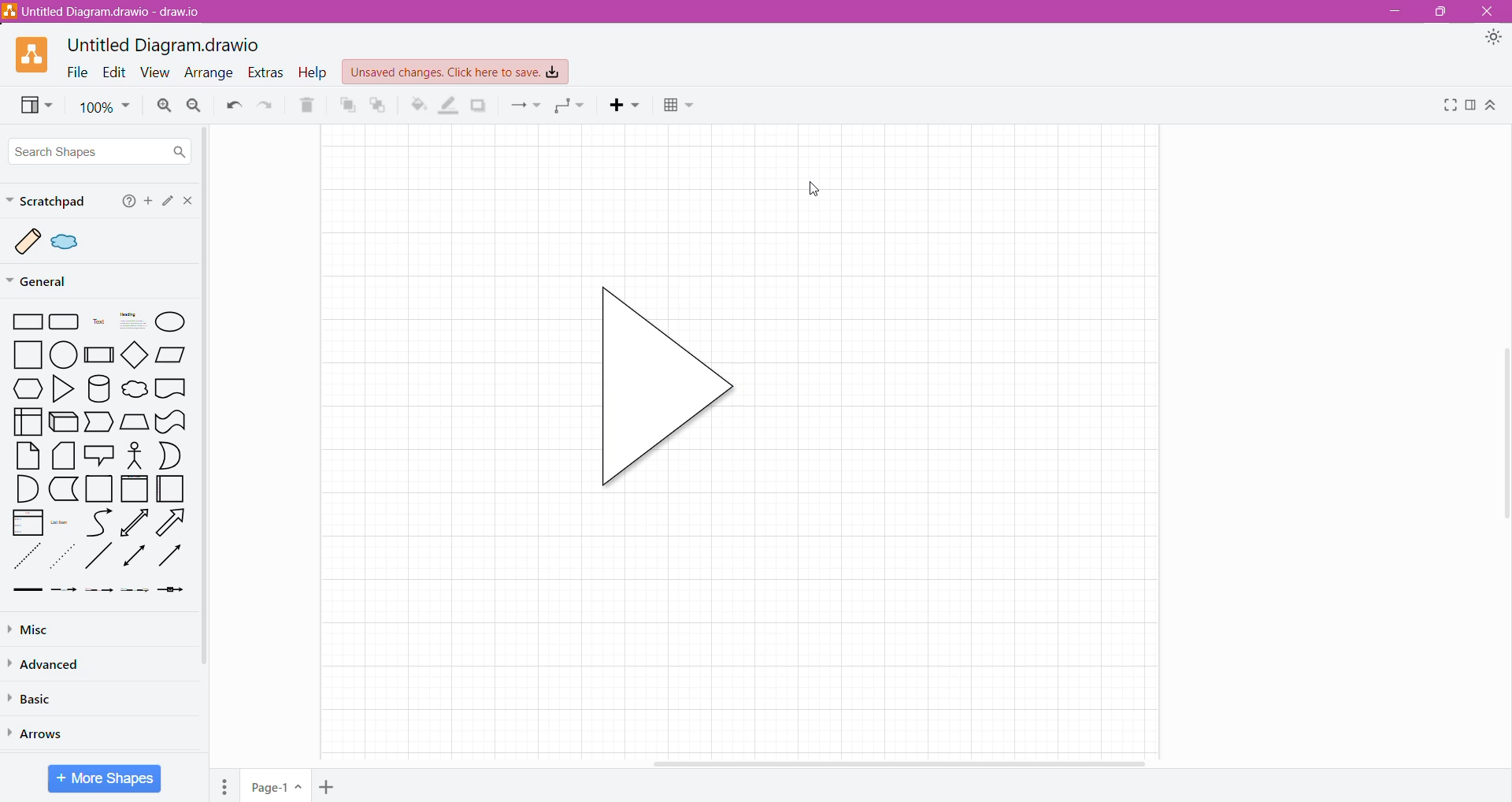 This screenshot has height=802, width=1512. I want to click on Insert, so click(626, 106).